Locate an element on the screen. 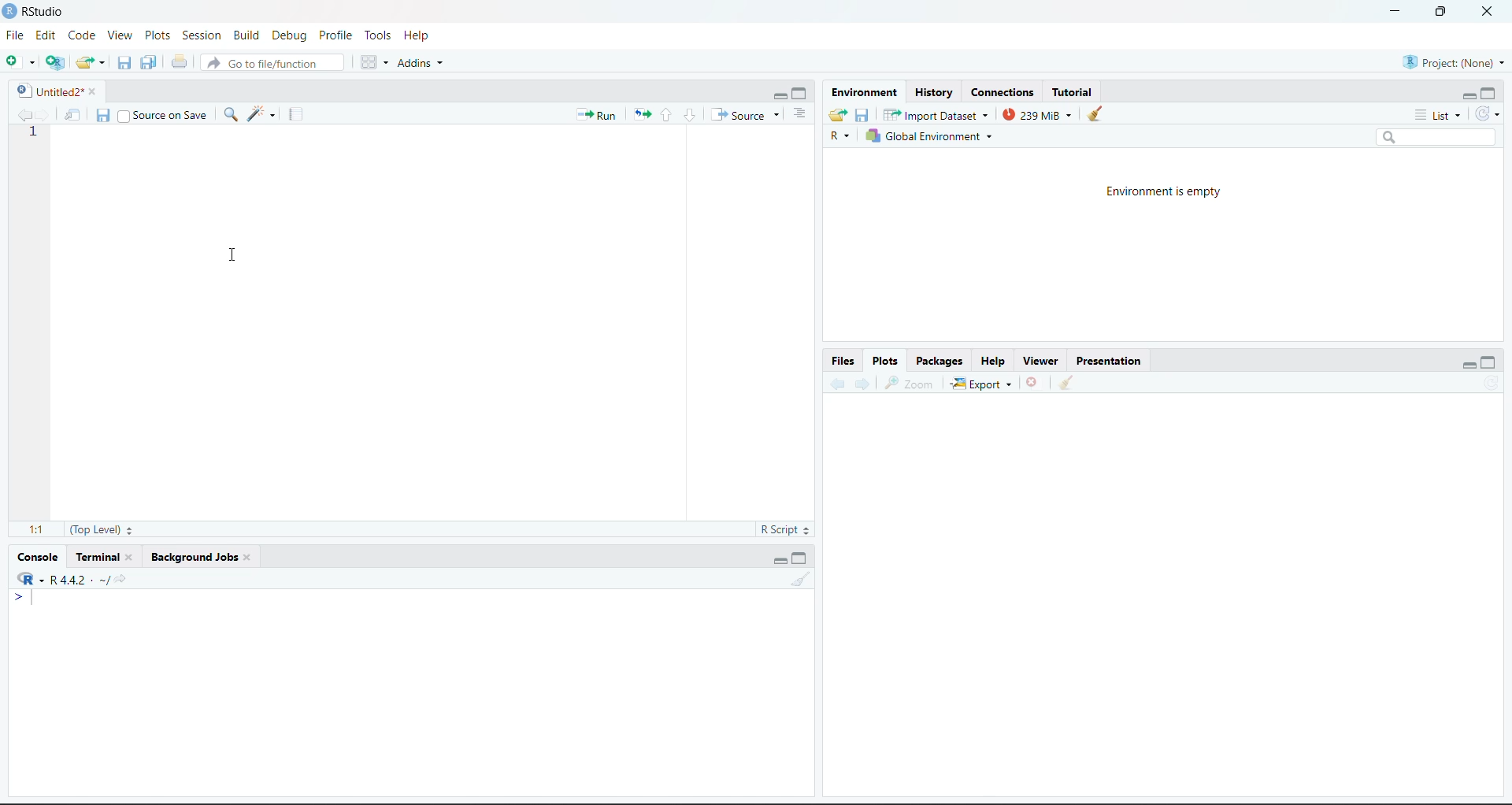 The image size is (1512, 805). Clear console (Ctrl +L) is located at coordinates (1099, 114).